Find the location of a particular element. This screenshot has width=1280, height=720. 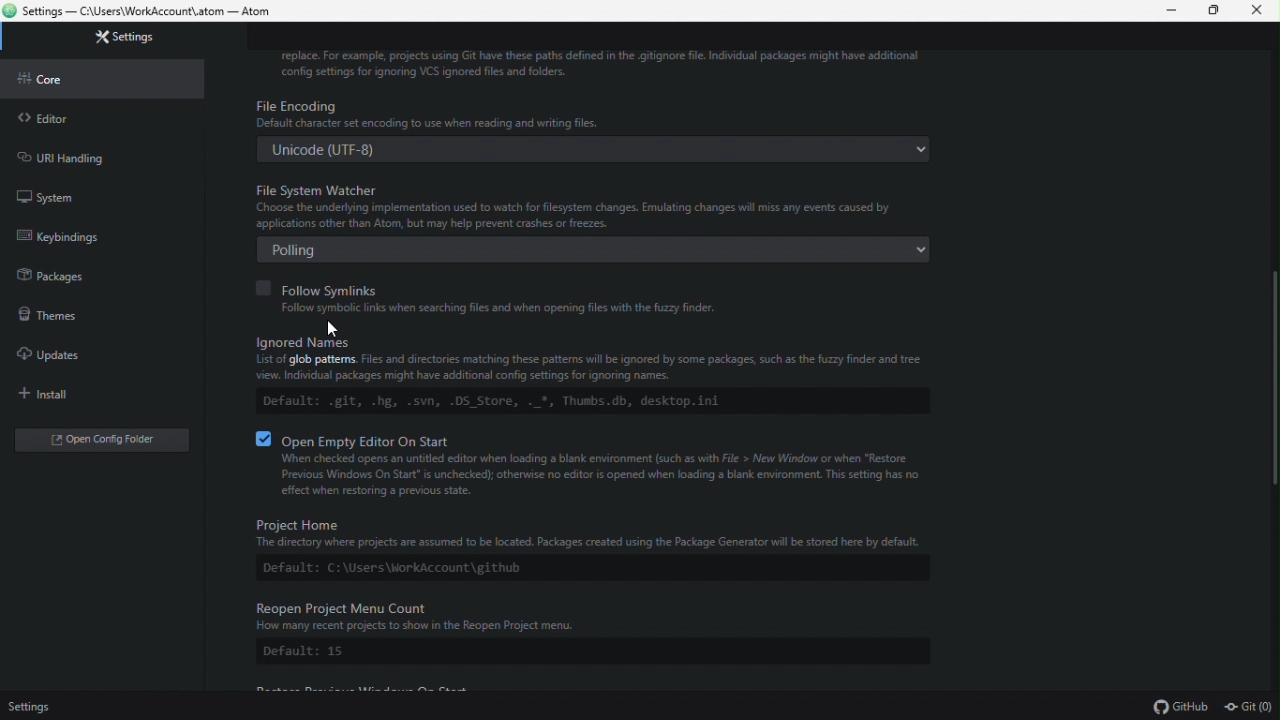

Ignored Names Files and directories matching these patterns will be ignored by some packages, such as the fuzzy finder and tree view. Individual packages might have additional config settings for ignoring names. is located at coordinates (592, 359).